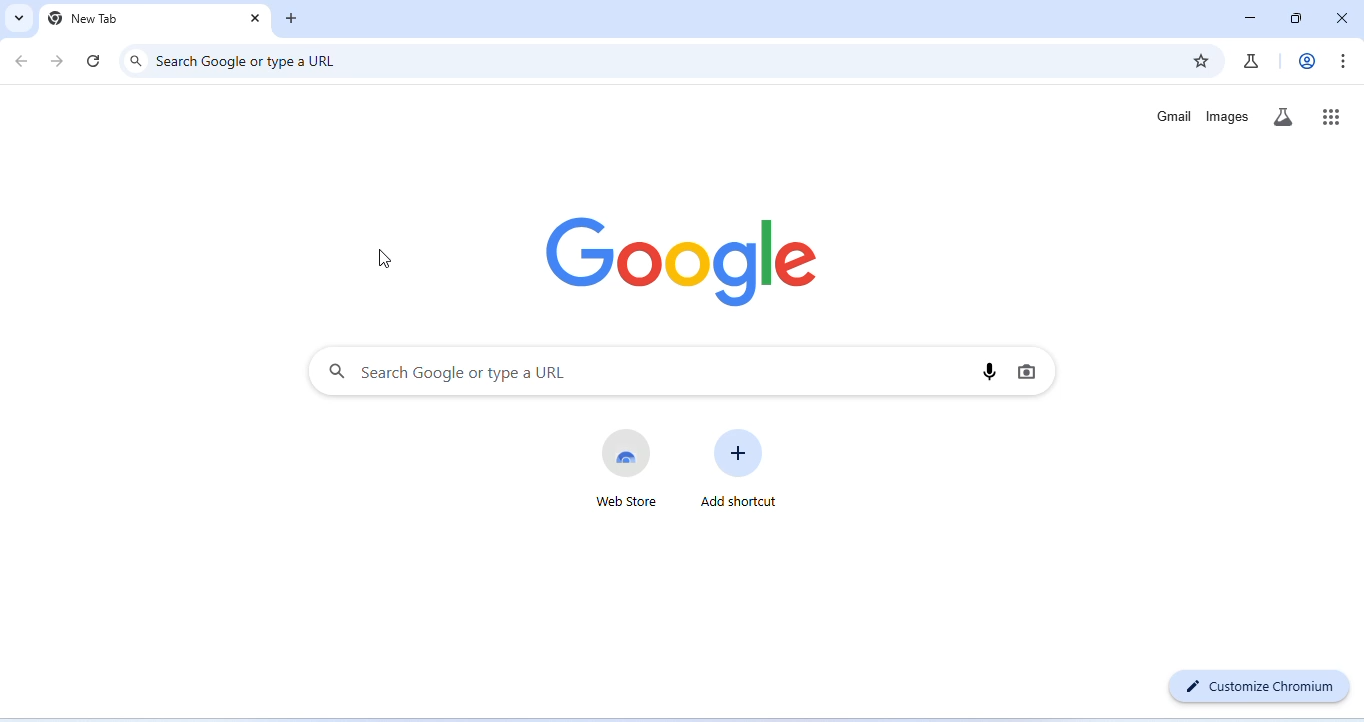 The image size is (1364, 722). Describe the element at coordinates (1308, 61) in the screenshot. I see `account` at that location.